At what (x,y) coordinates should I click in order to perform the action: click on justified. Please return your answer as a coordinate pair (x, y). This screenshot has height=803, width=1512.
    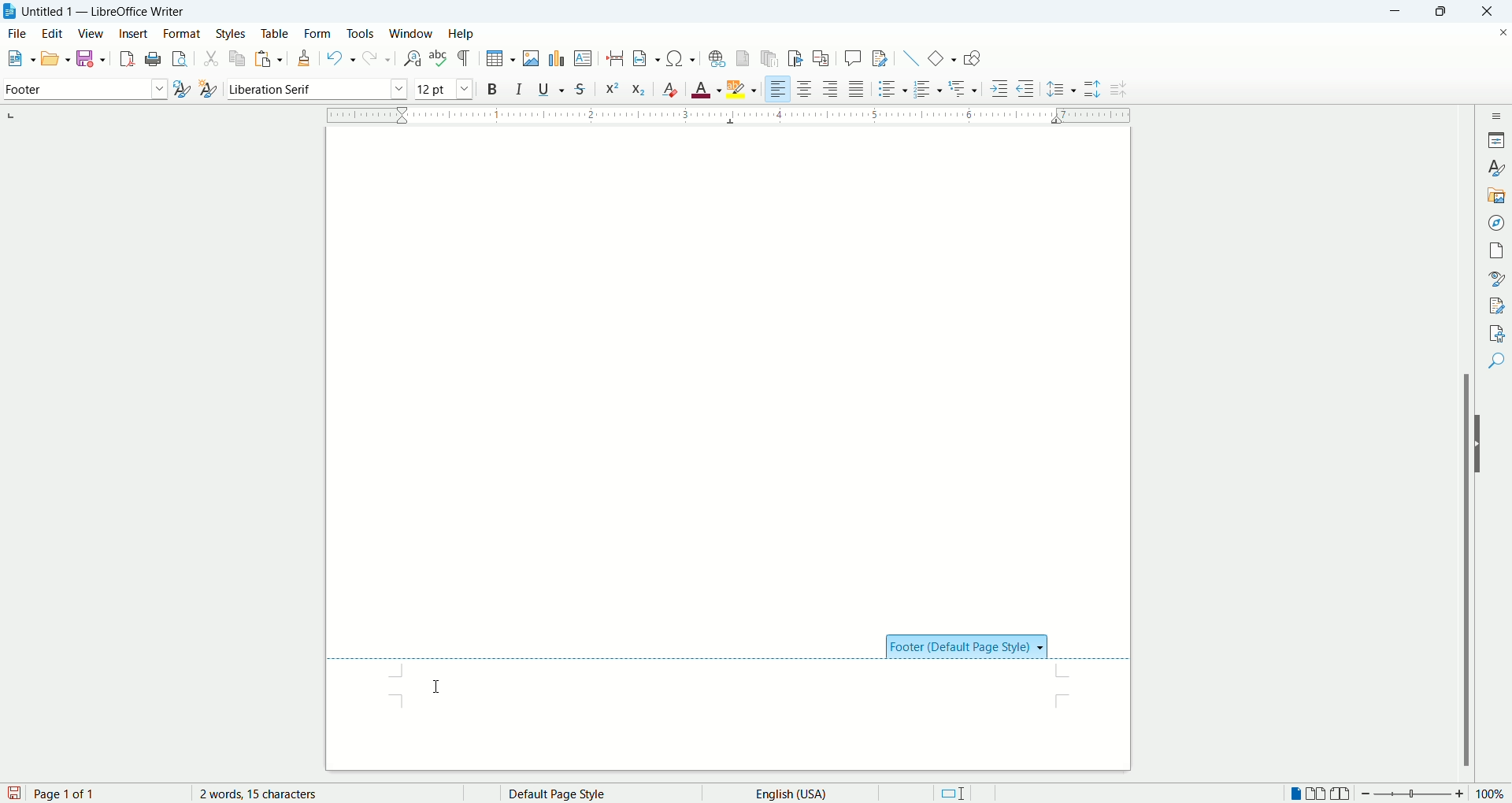
    Looking at the image, I should click on (858, 89).